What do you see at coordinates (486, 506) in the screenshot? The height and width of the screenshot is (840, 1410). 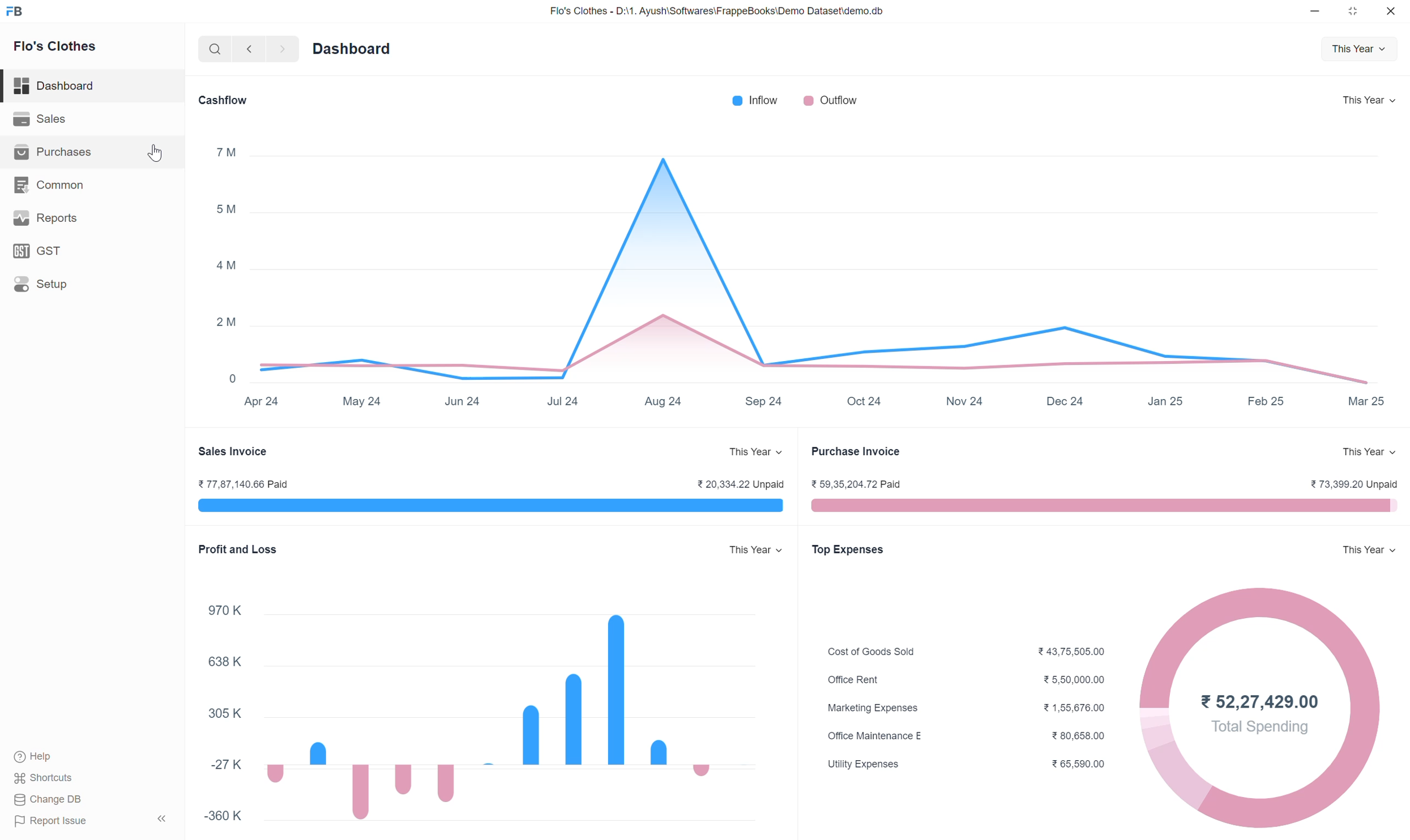 I see `blue line` at bounding box center [486, 506].